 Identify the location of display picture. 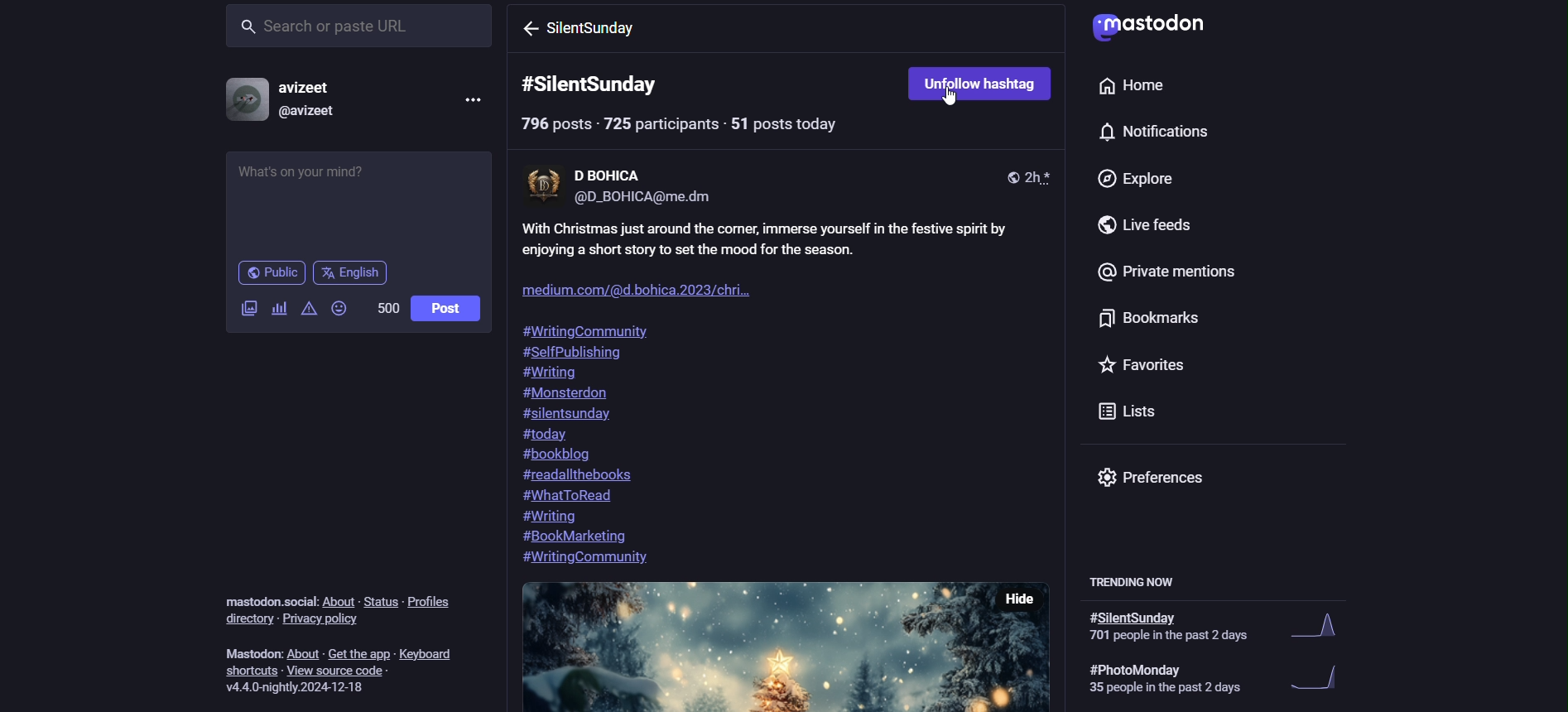
(542, 186).